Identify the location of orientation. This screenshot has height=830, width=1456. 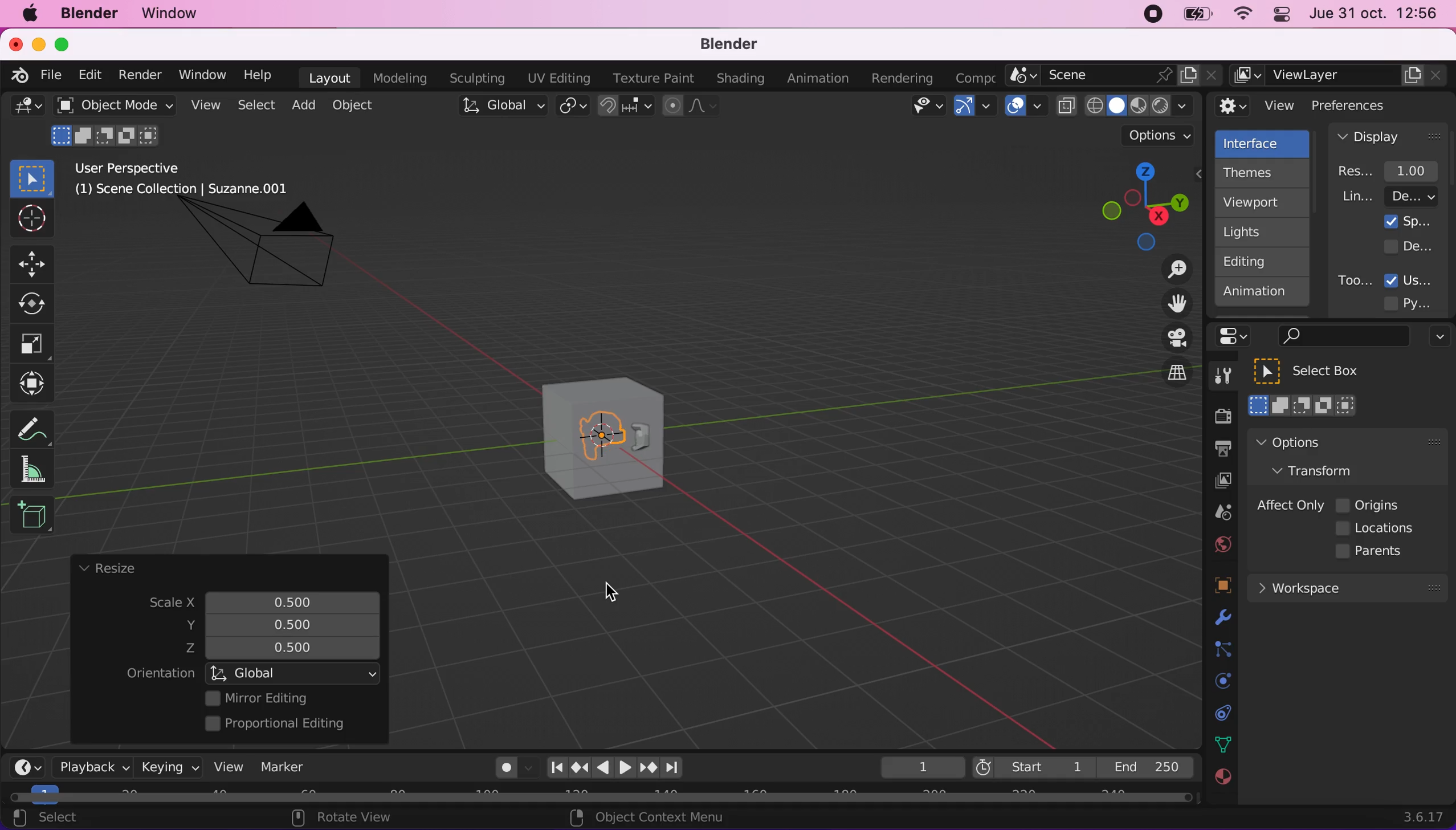
(160, 674).